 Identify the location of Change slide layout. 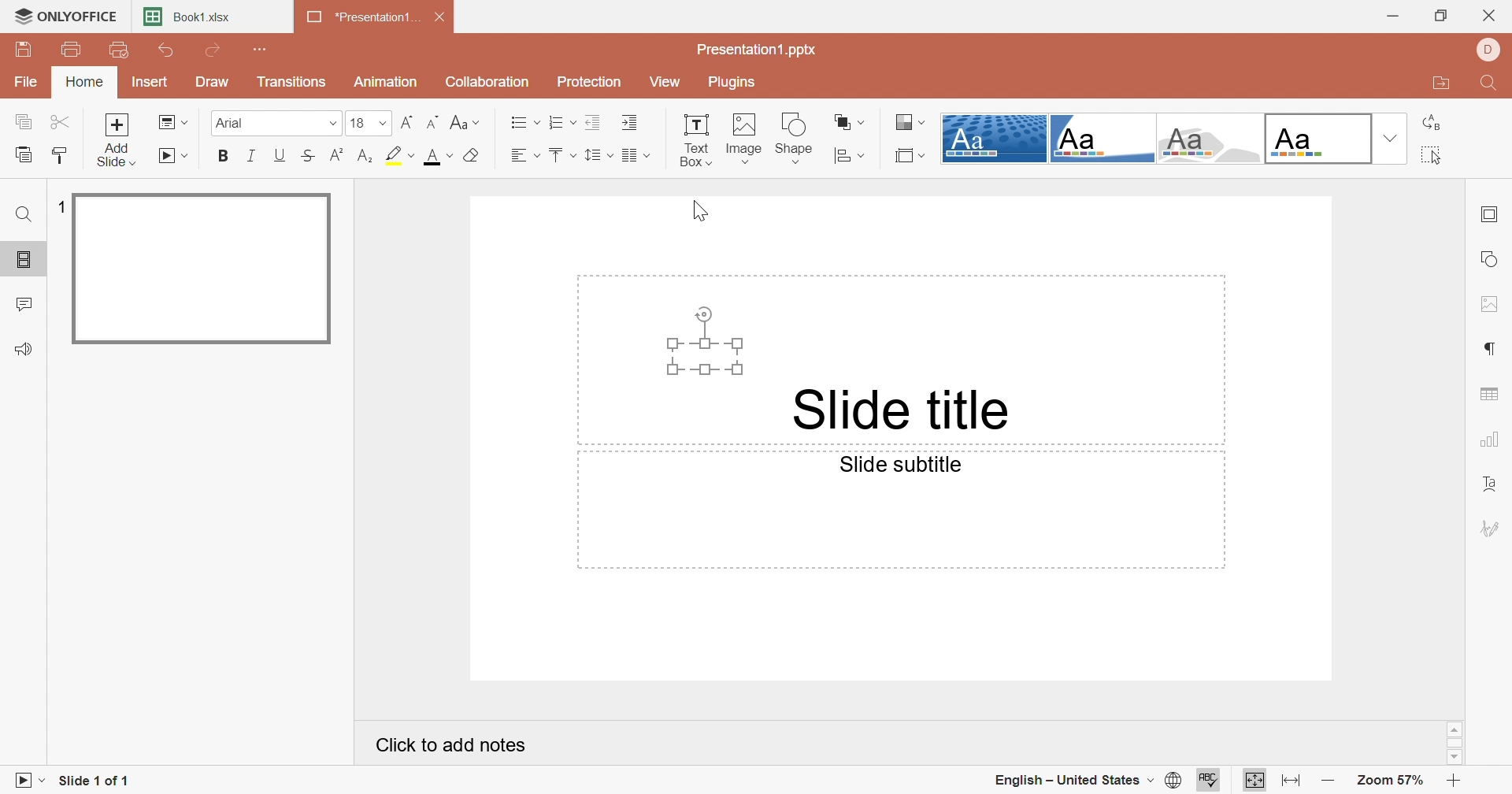
(172, 123).